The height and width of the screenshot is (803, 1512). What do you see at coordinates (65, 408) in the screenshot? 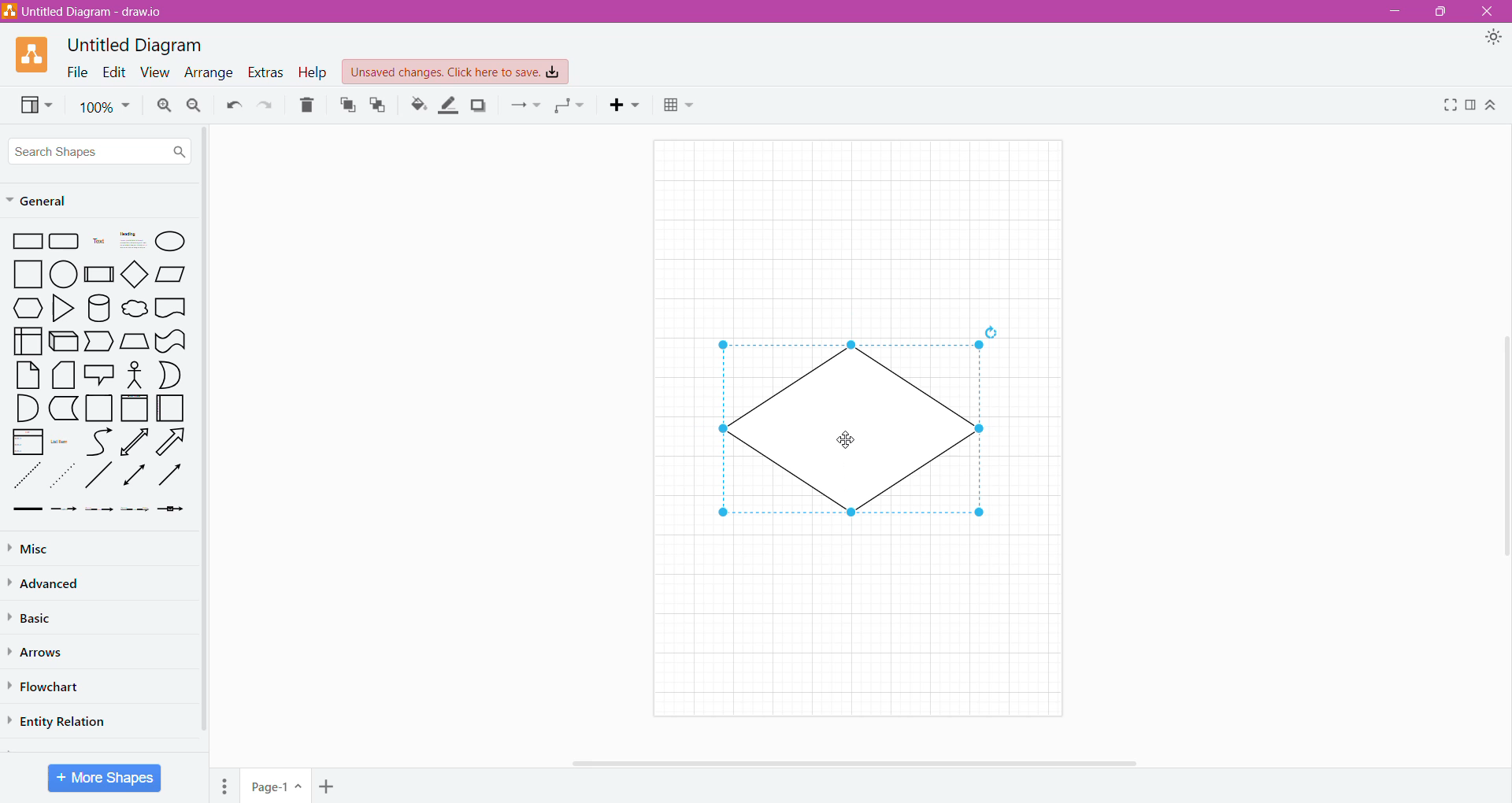
I see `Data Storage` at bounding box center [65, 408].